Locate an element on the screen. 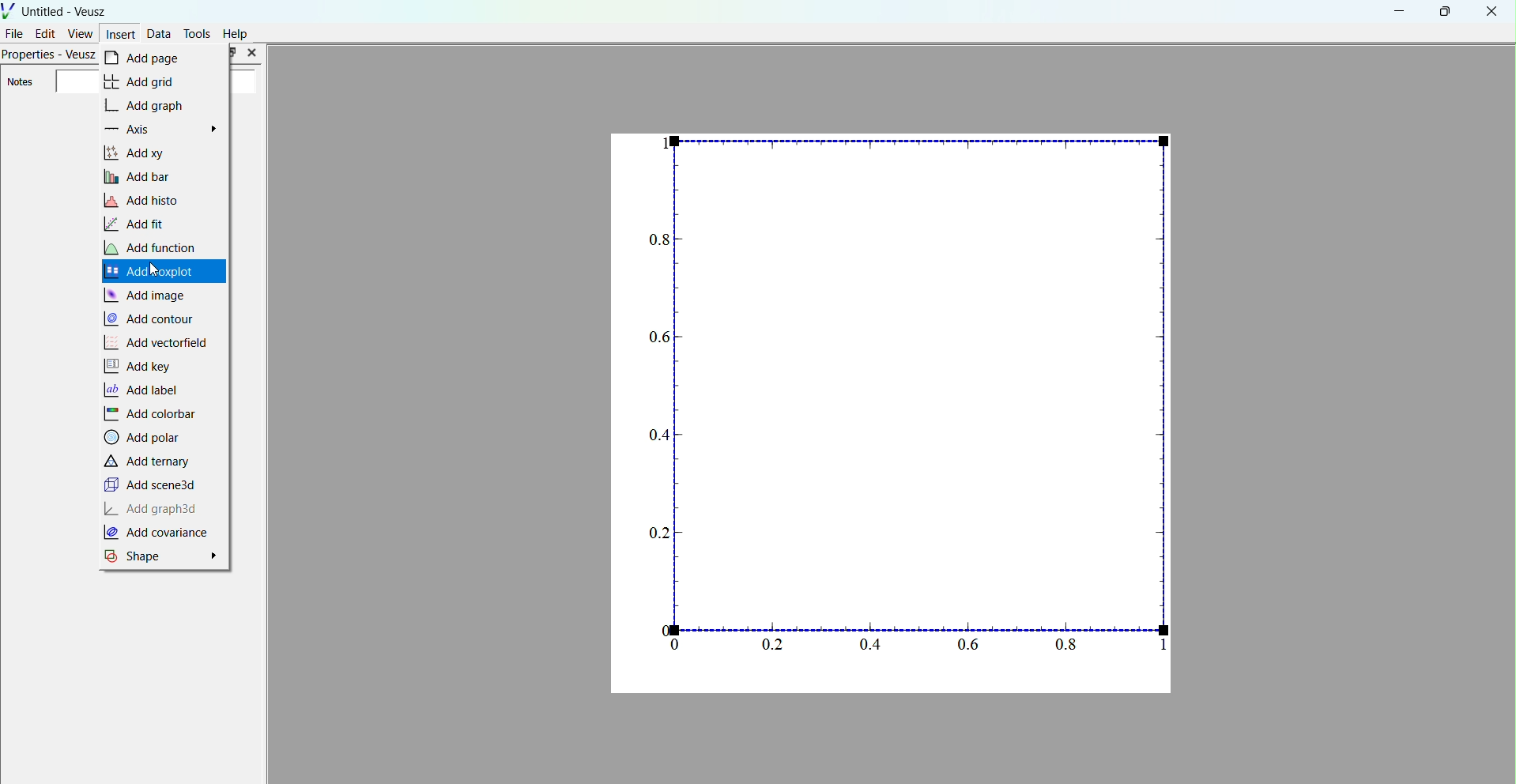 This screenshot has height=784, width=1516. Edit is located at coordinates (46, 33).